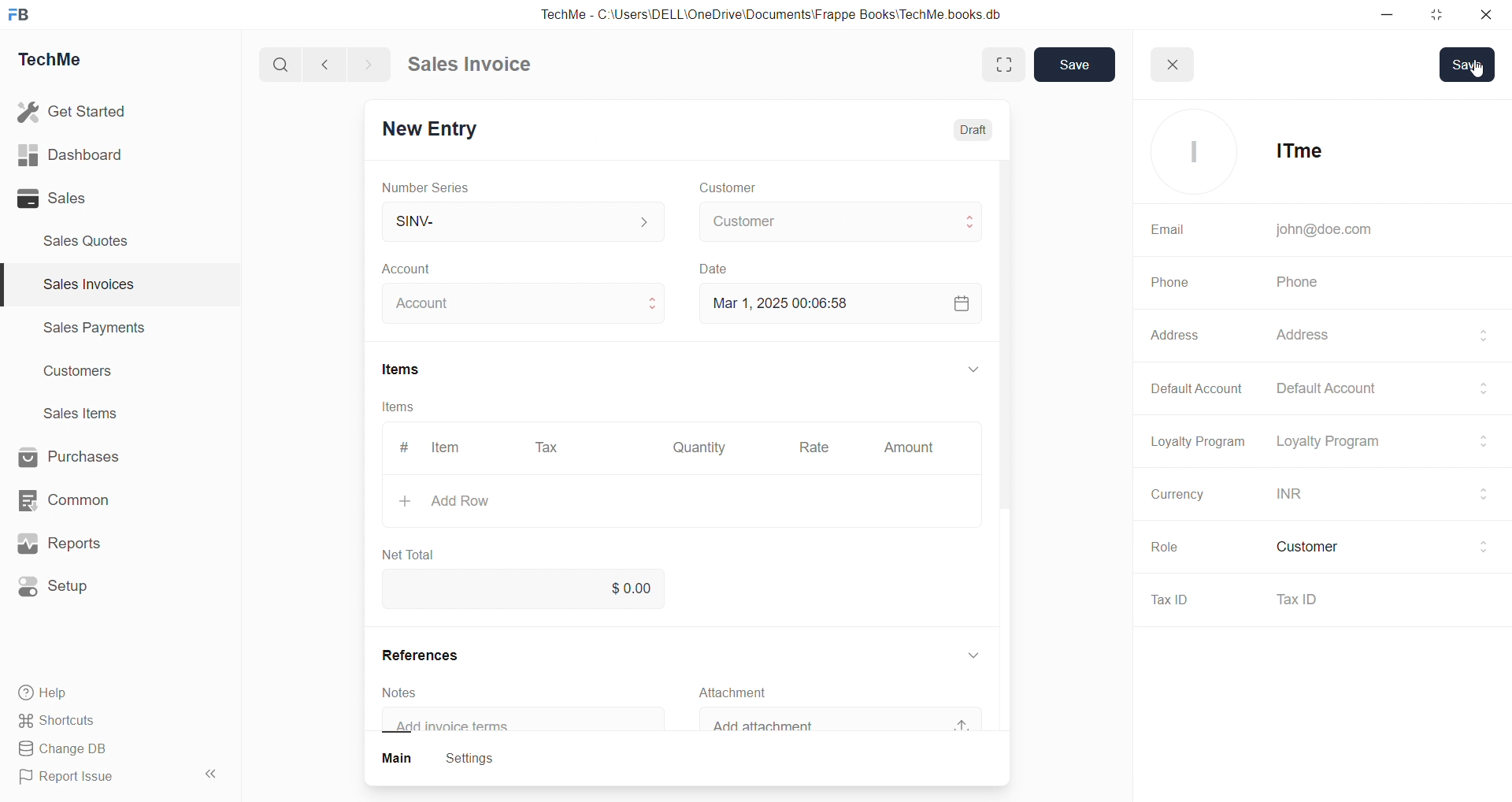  I want to click on Close, so click(1177, 60).